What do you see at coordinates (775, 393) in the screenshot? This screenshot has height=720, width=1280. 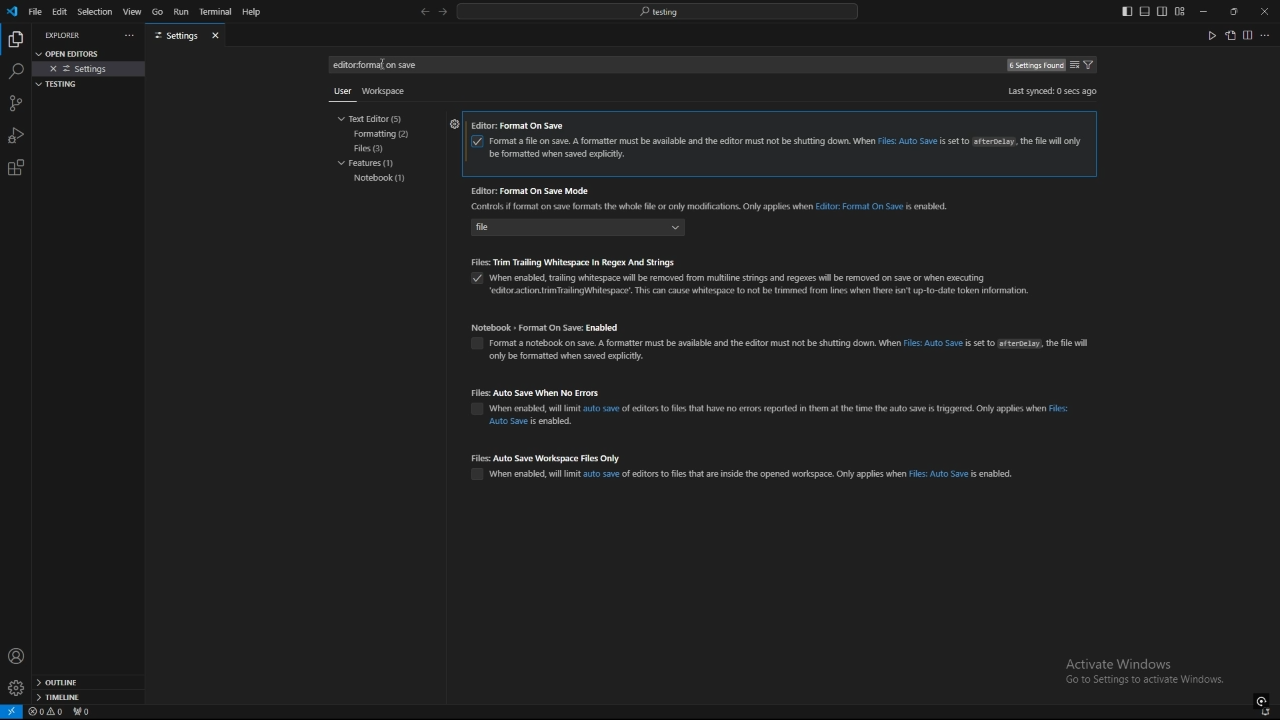 I see `files auto save when no errors` at bounding box center [775, 393].